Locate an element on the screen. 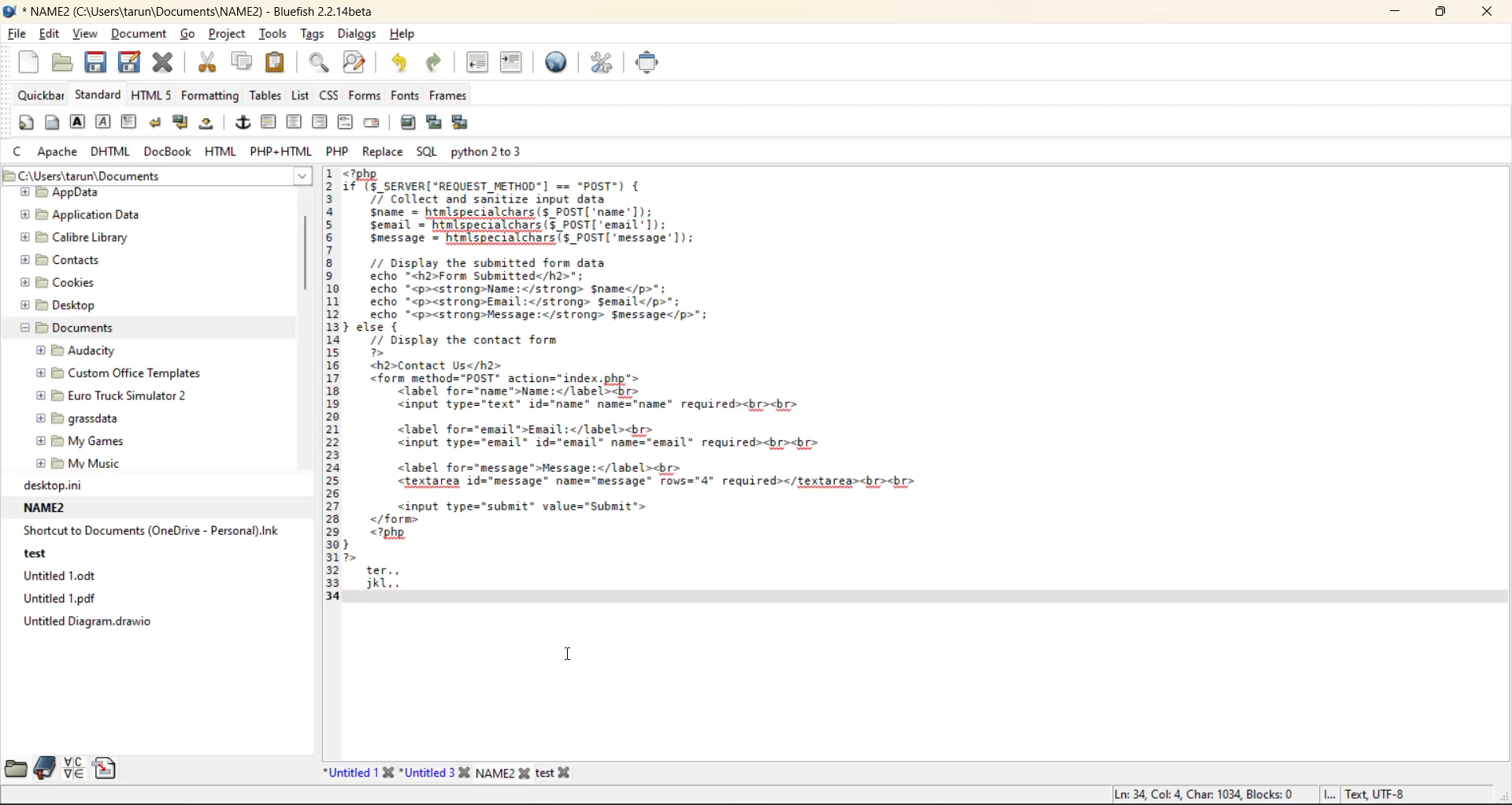  python 2 to 3 is located at coordinates (492, 150).